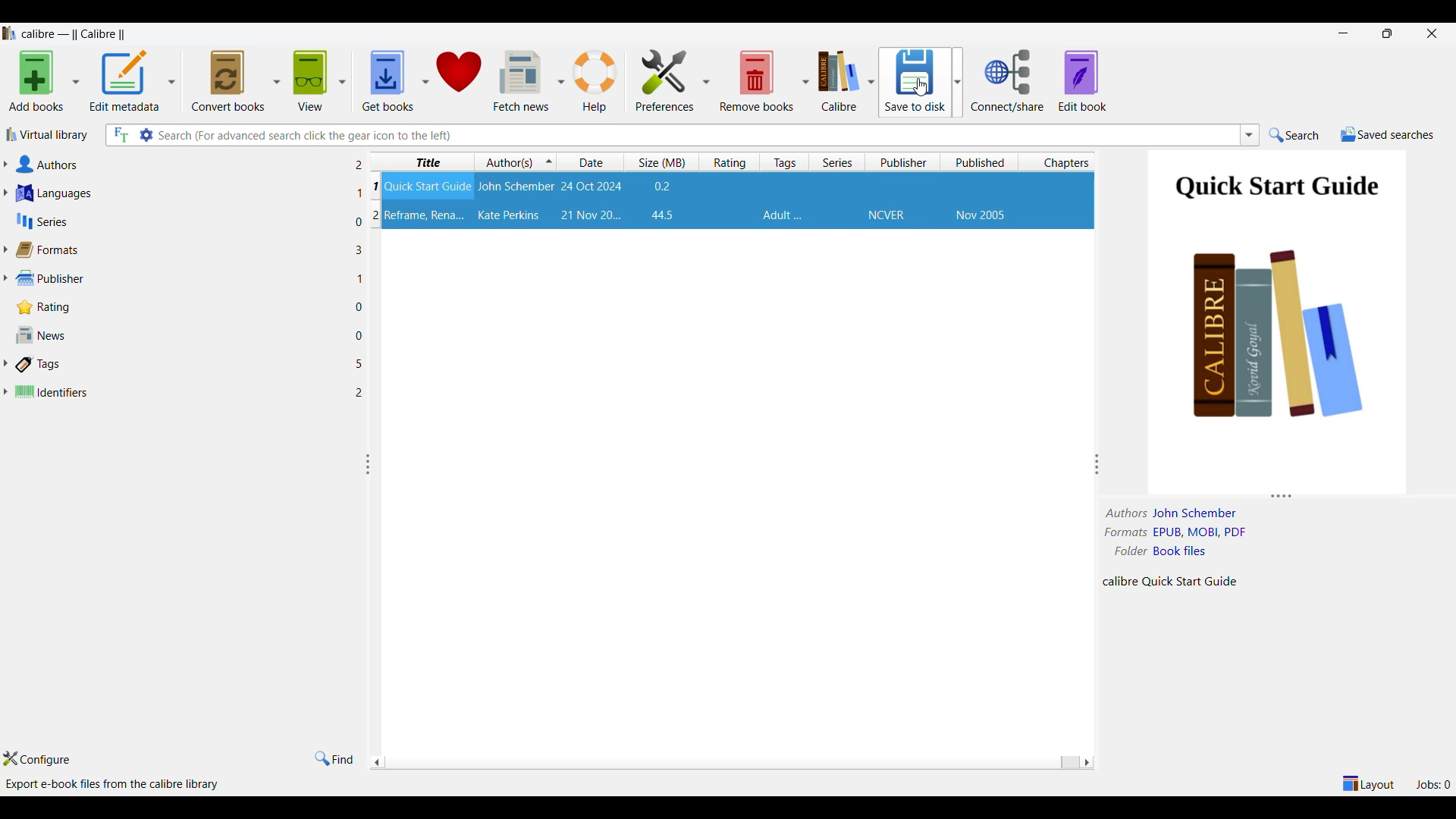 This screenshot has height=819, width=1456. I want to click on Add book options, so click(43, 80).